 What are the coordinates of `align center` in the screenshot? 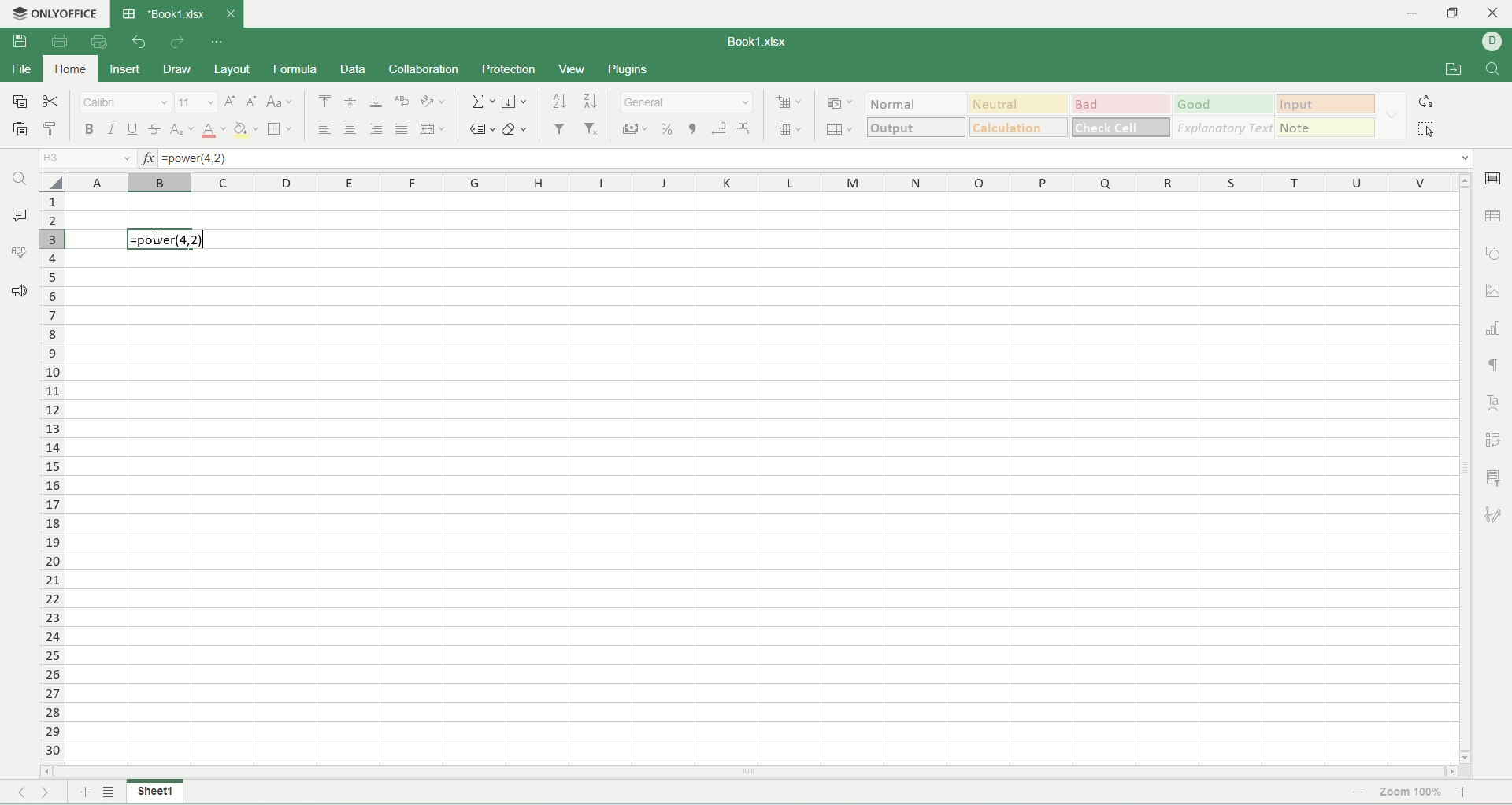 It's located at (351, 129).